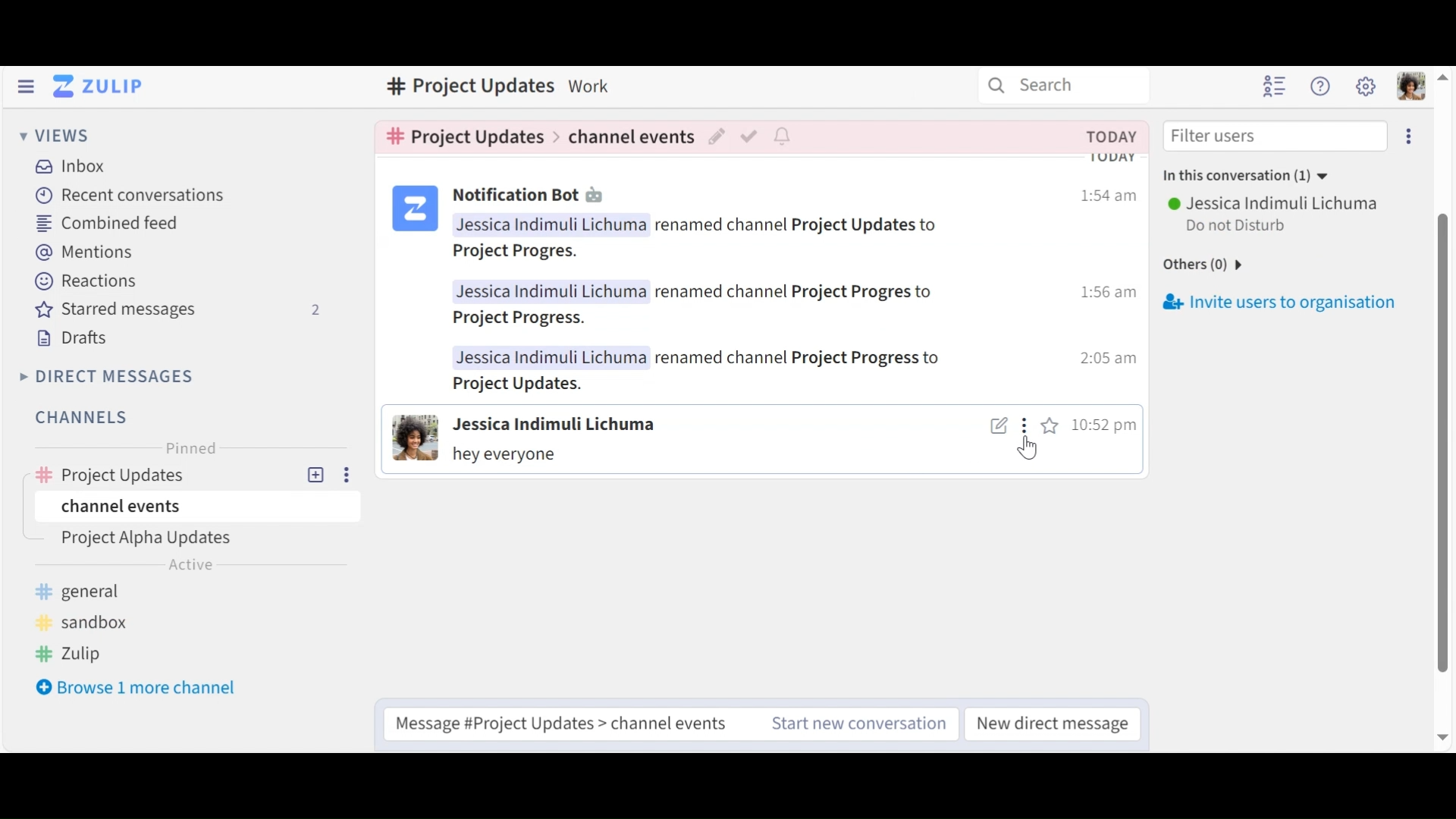 The height and width of the screenshot is (819, 1456). Describe the element at coordinates (1048, 723) in the screenshot. I see `New Direct messages` at that location.